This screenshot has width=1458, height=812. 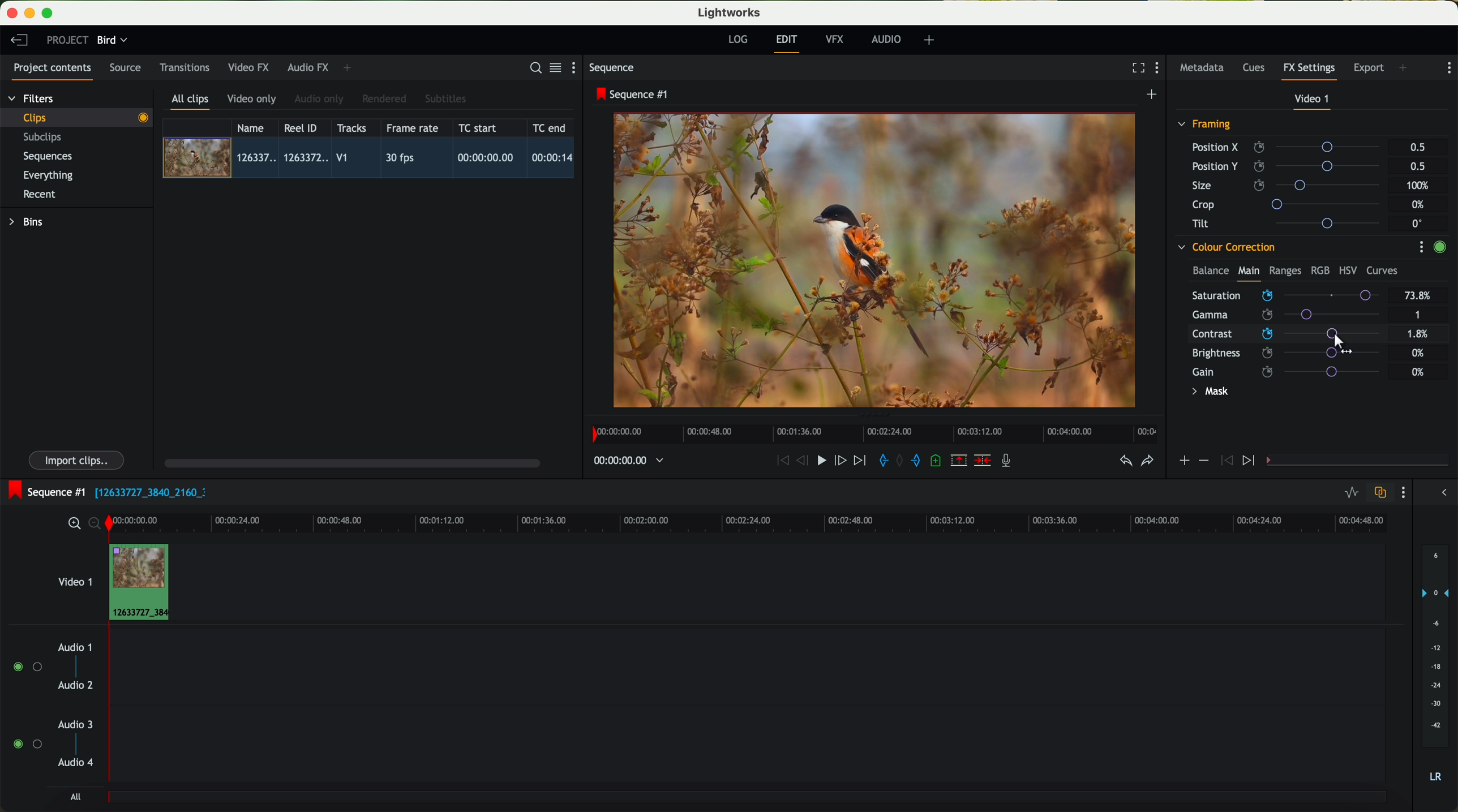 I want to click on icon, so click(x=1225, y=461).